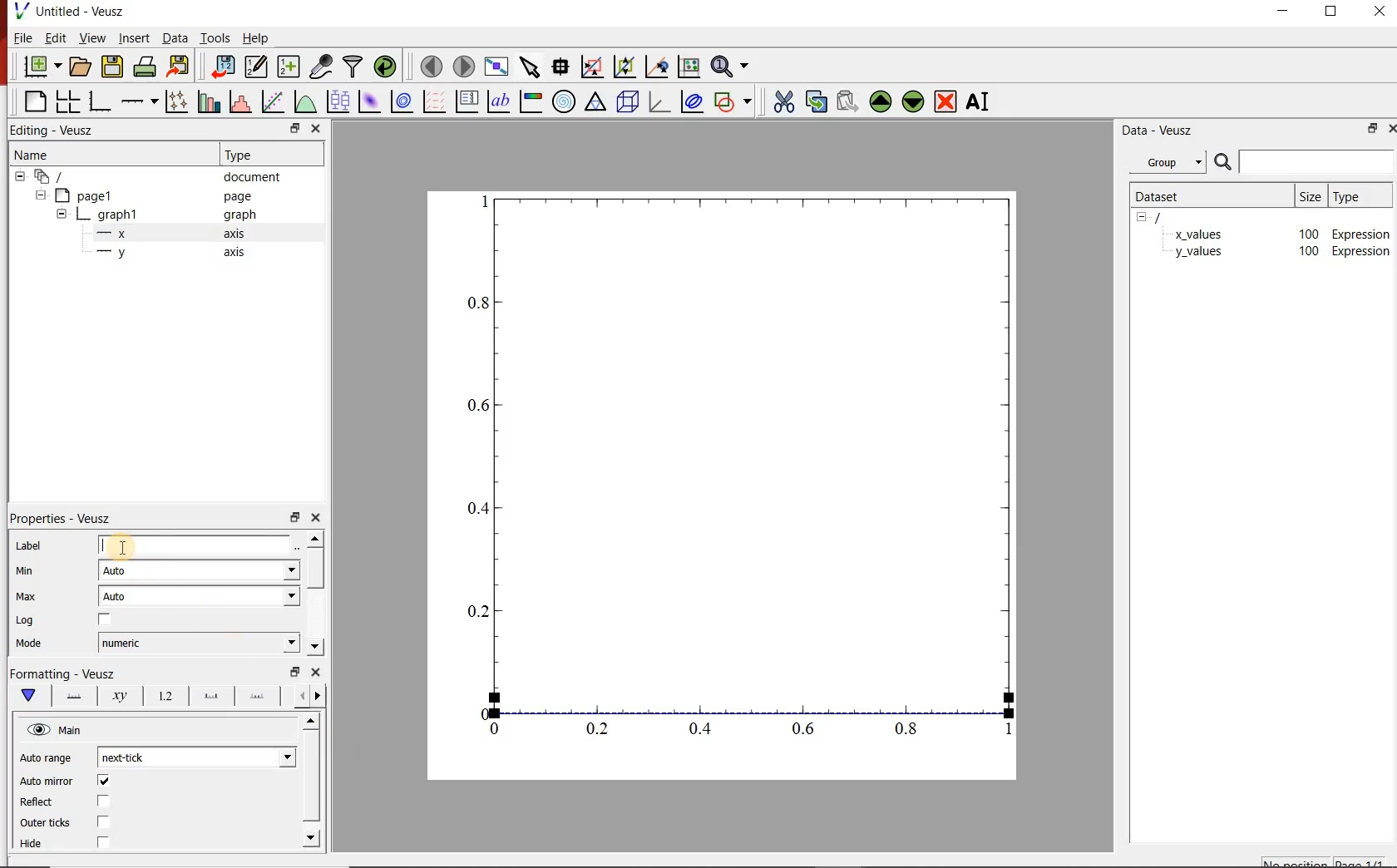  Describe the element at coordinates (336, 101) in the screenshot. I see `plot box plots` at that location.